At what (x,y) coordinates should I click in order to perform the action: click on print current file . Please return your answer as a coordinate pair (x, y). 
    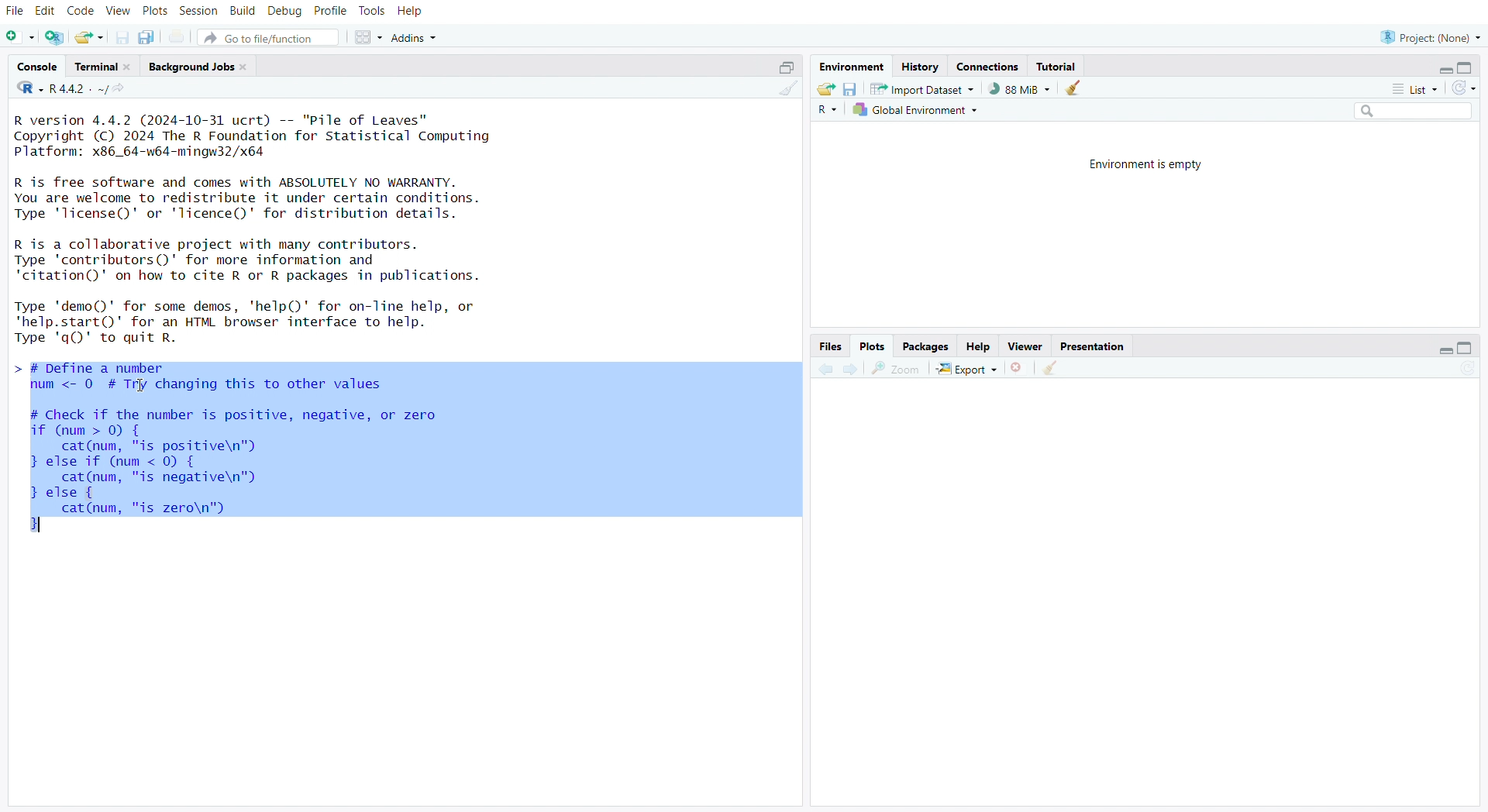
    Looking at the image, I should click on (179, 38).